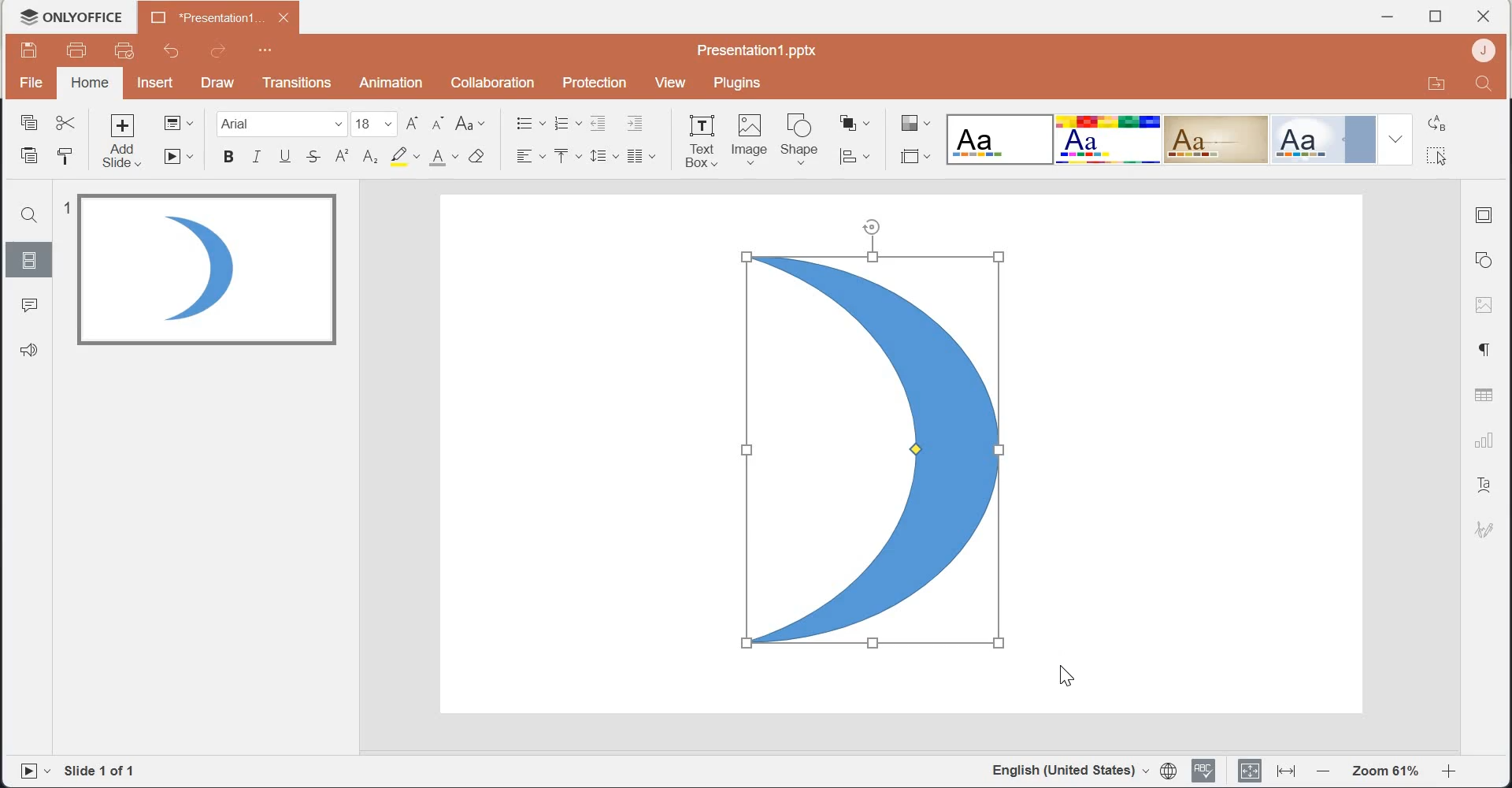 This screenshot has width=1512, height=788. I want to click on Arrange shape, so click(858, 124).